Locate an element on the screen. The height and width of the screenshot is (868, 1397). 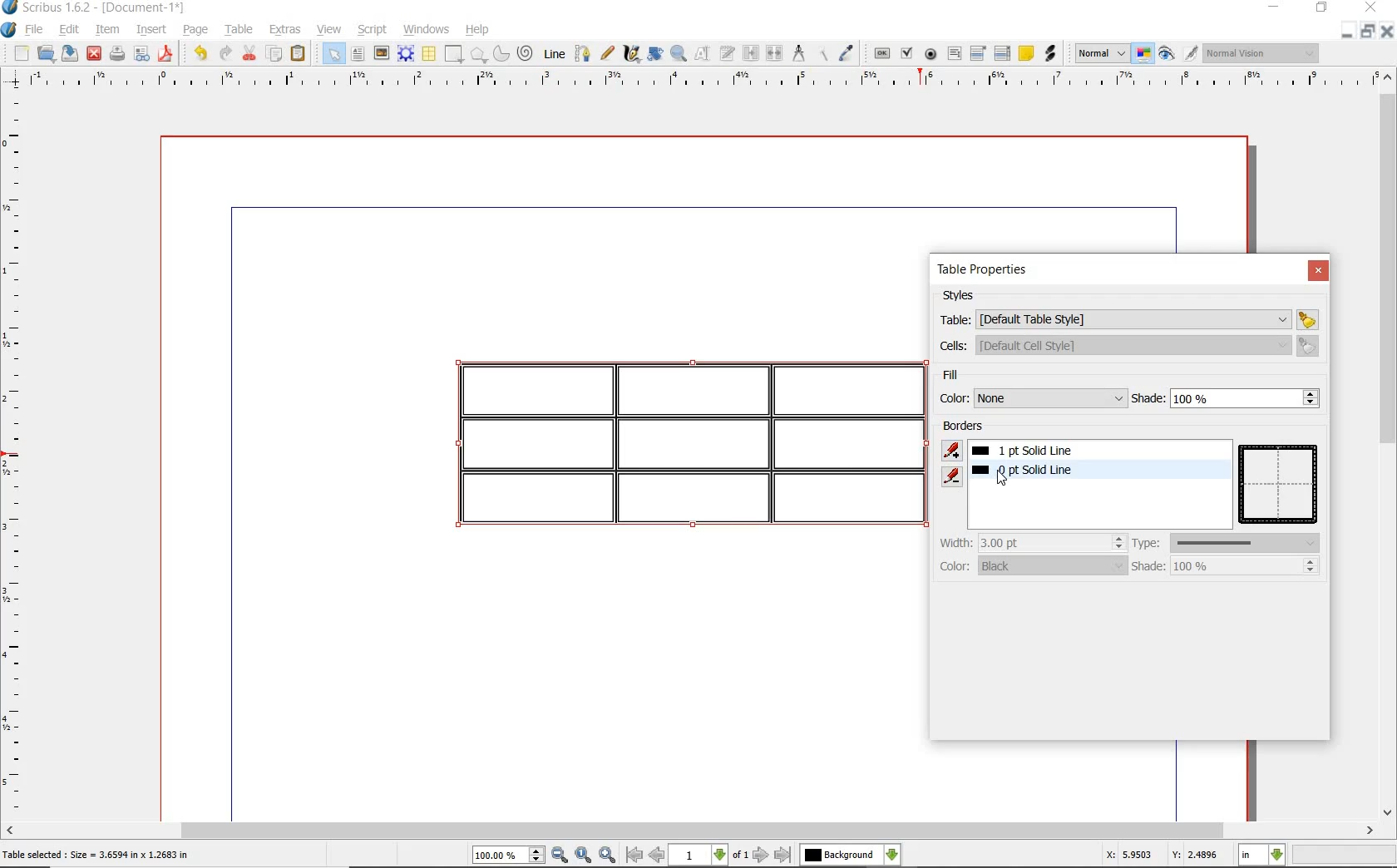
save is located at coordinates (69, 53).